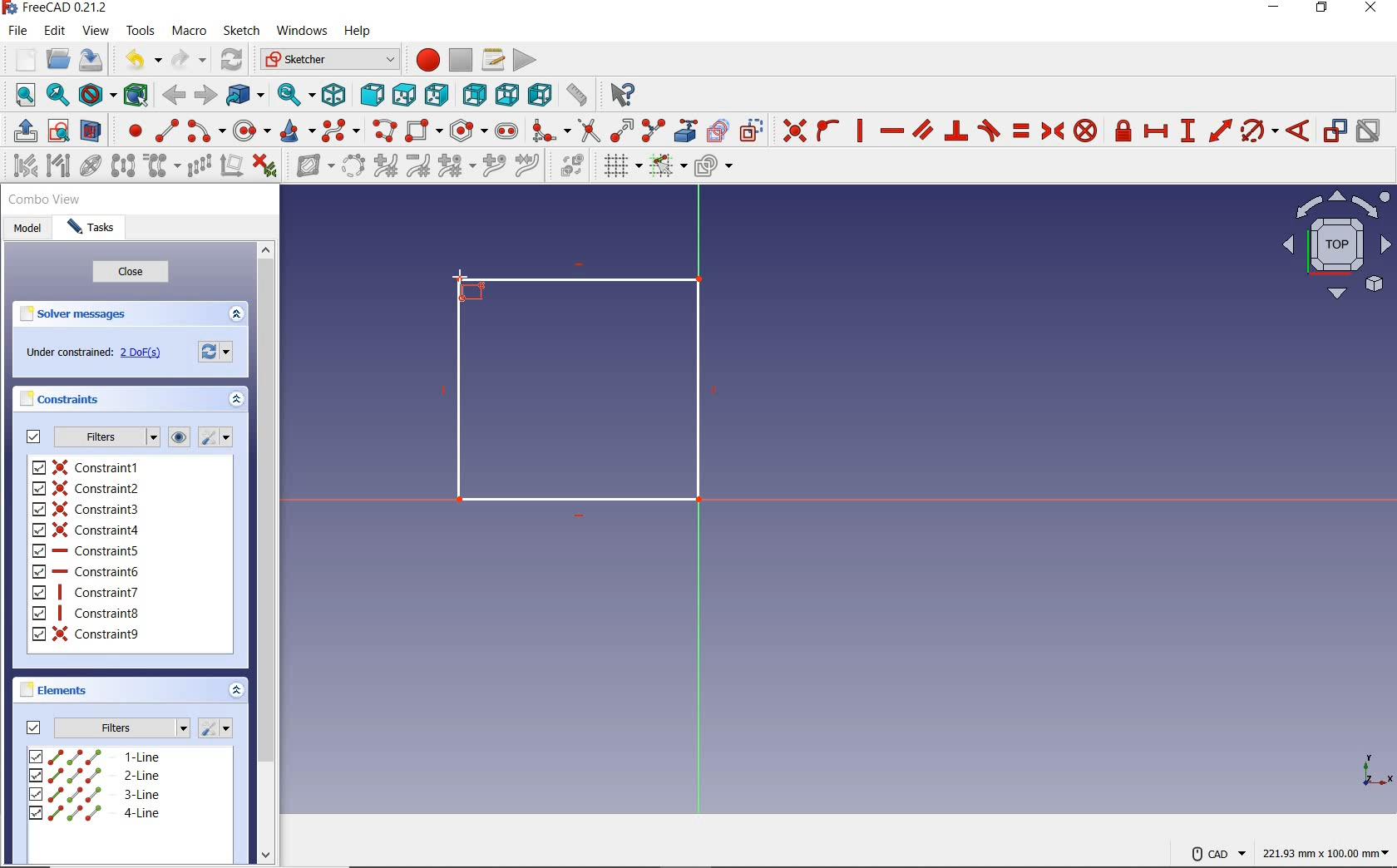  I want to click on constrain vertically, so click(861, 131).